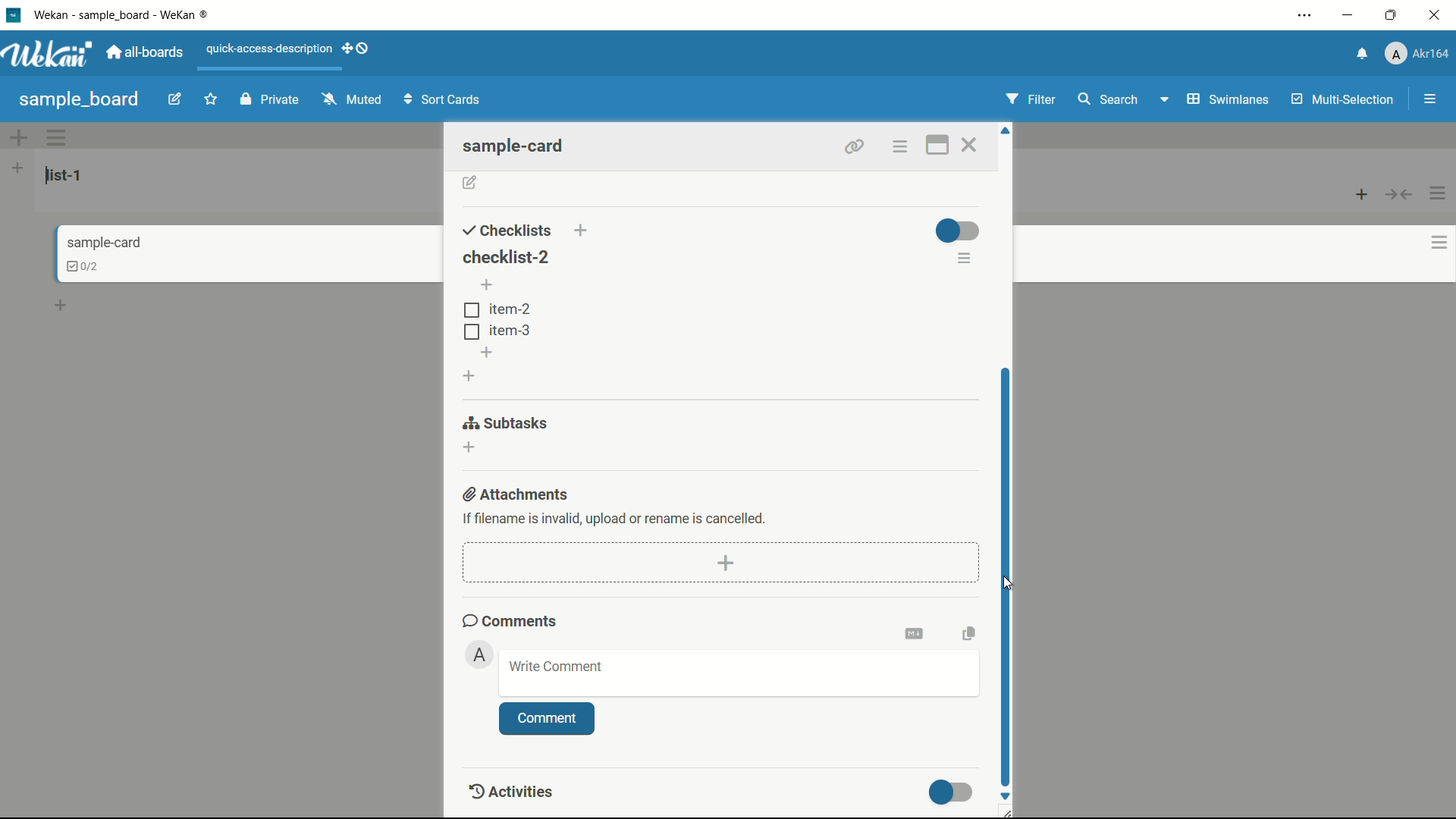 Image resolution: width=1456 pixels, height=819 pixels. What do you see at coordinates (917, 632) in the screenshot?
I see `convert to markdown` at bounding box center [917, 632].